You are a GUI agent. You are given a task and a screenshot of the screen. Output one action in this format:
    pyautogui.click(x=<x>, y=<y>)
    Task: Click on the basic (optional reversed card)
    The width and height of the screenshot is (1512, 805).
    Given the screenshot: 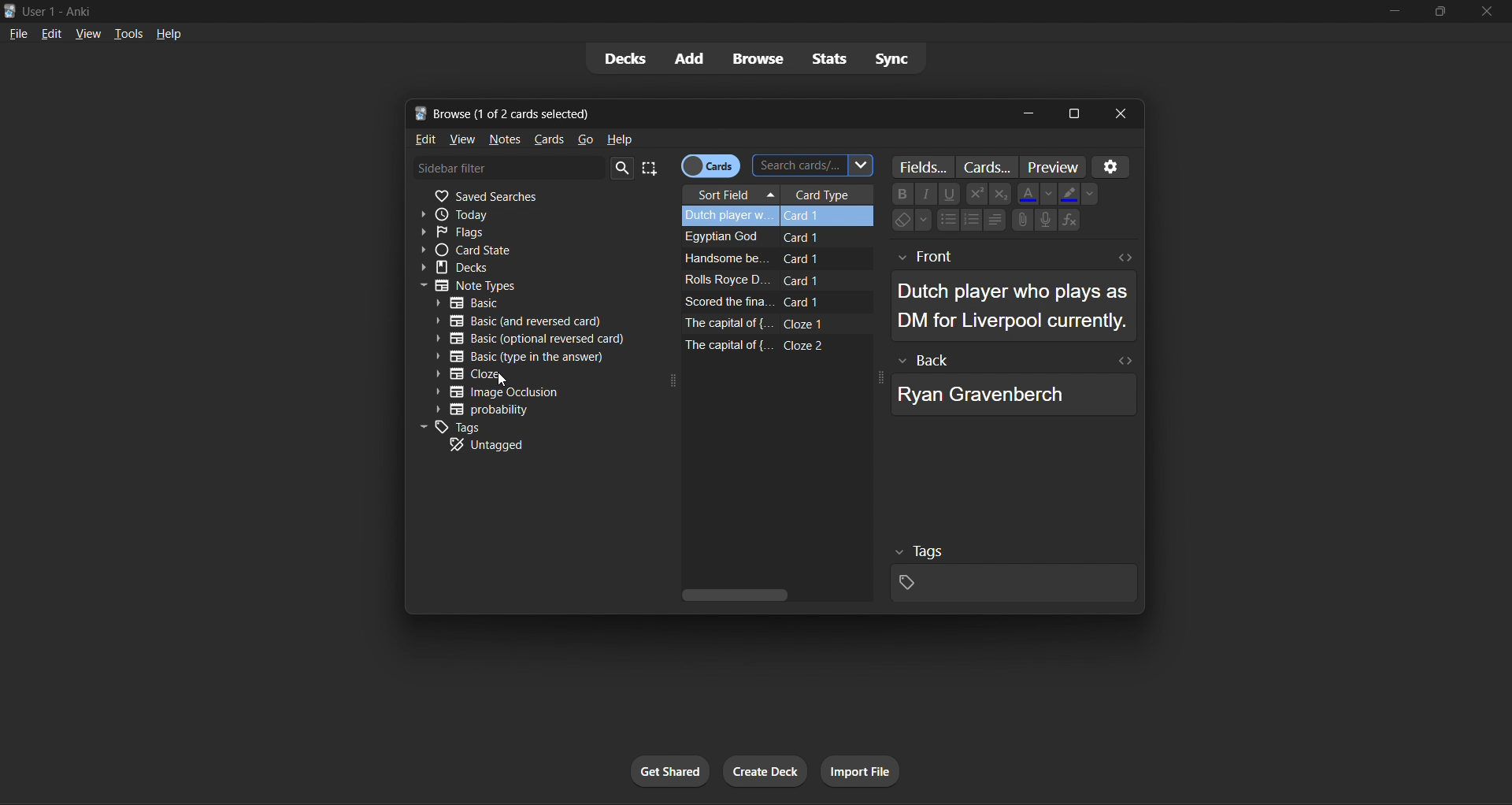 What is the action you would take?
    pyautogui.click(x=530, y=339)
    